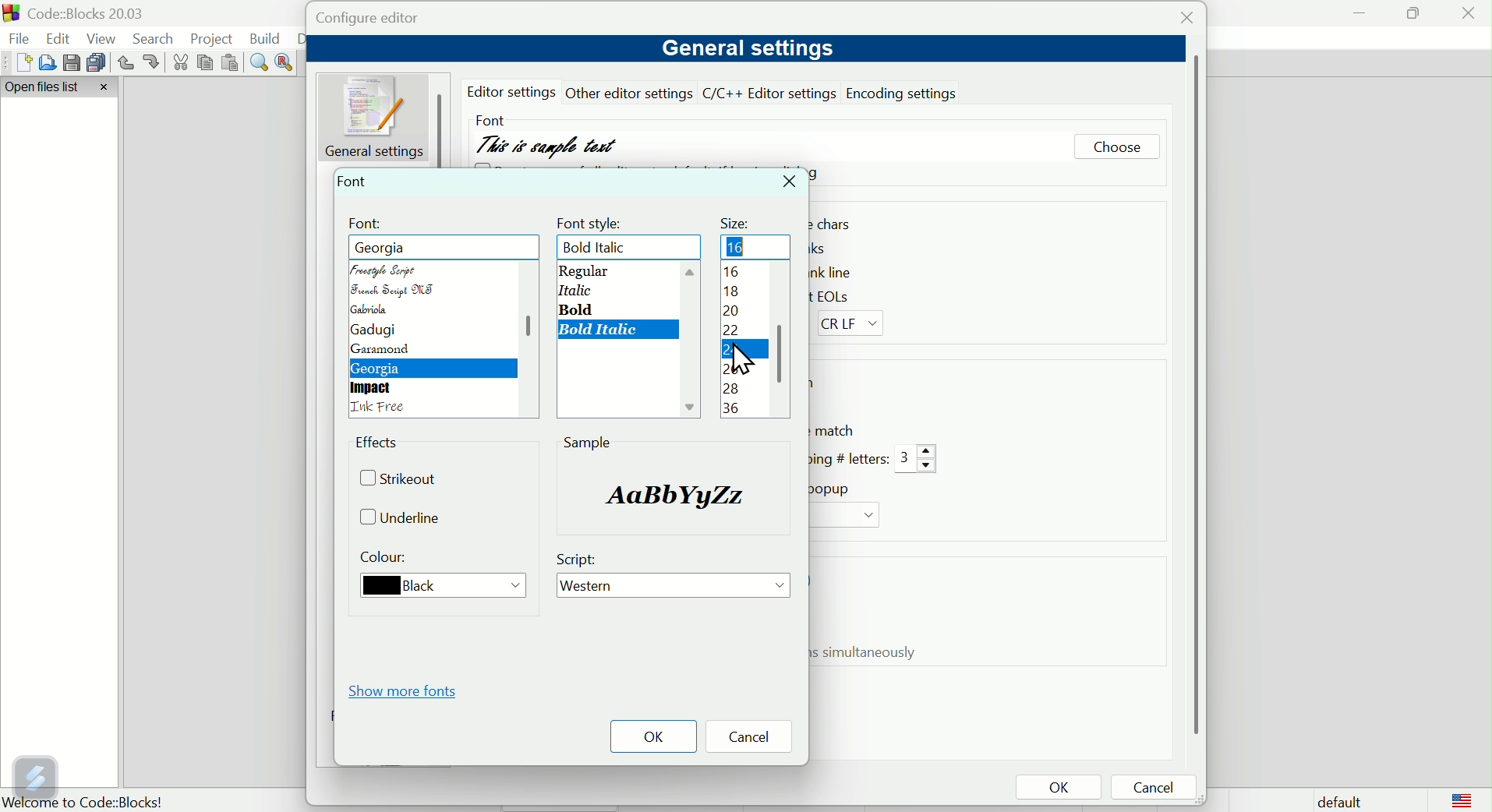 The height and width of the screenshot is (812, 1492). Describe the element at coordinates (744, 360) in the screenshot. I see `cursor` at that location.